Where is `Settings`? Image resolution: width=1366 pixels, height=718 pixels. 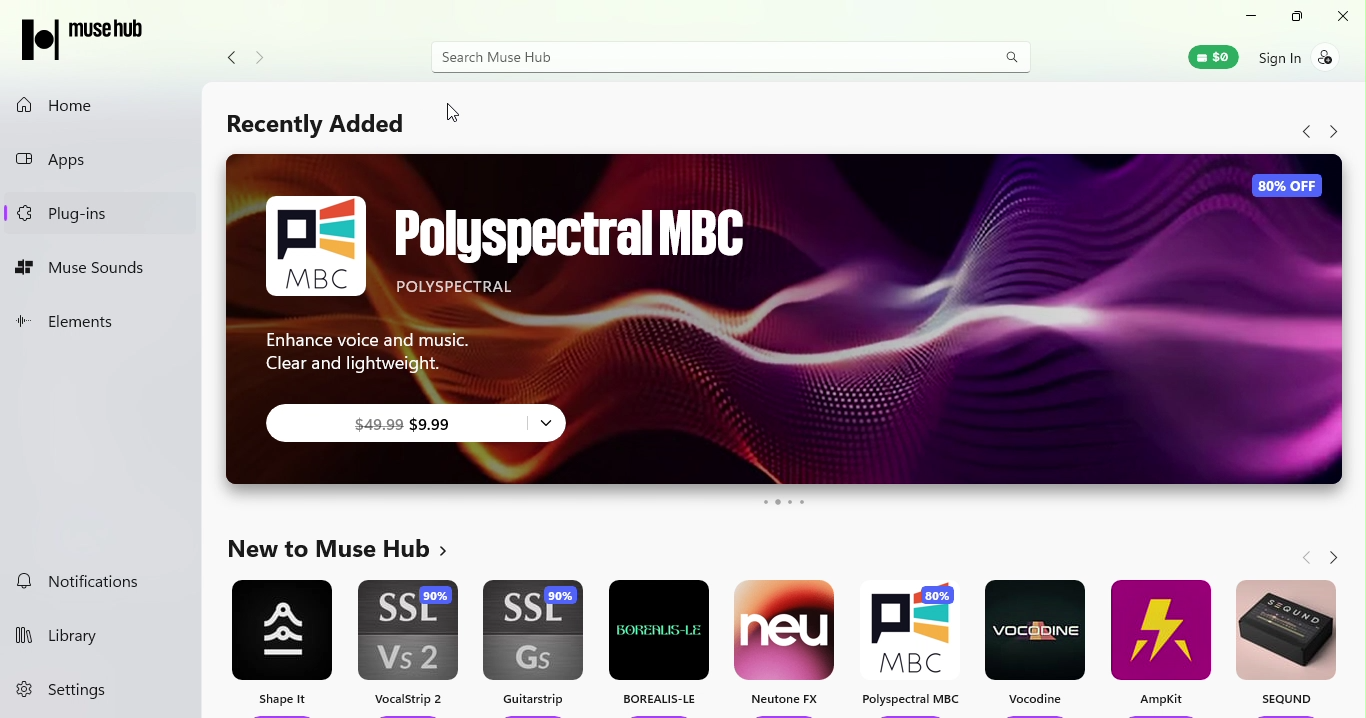
Settings is located at coordinates (82, 689).